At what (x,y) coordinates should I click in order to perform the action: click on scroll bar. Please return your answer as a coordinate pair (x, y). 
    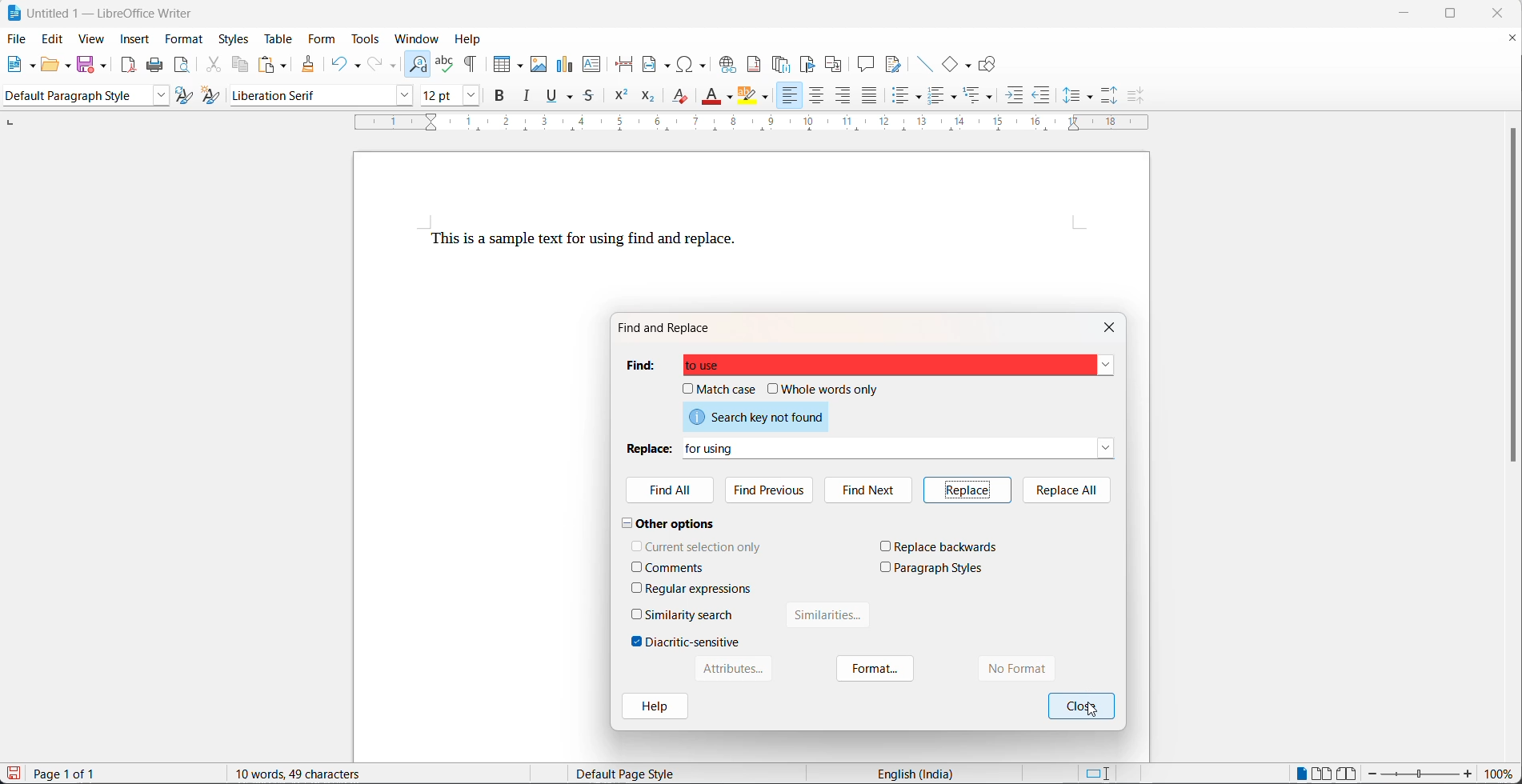
    Looking at the image, I should click on (1512, 303).